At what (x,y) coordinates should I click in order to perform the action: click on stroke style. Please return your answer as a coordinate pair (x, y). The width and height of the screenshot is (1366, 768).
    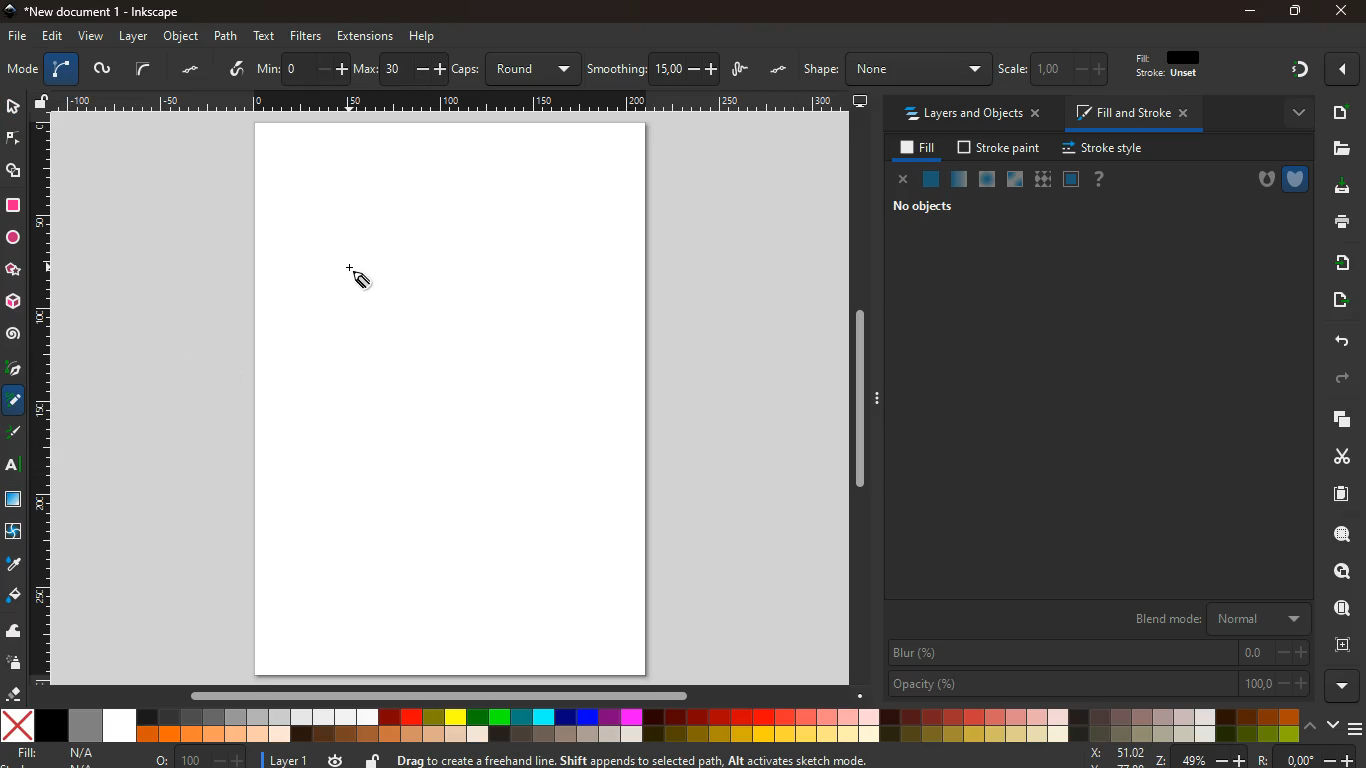
    Looking at the image, I should click on (1106, 149).